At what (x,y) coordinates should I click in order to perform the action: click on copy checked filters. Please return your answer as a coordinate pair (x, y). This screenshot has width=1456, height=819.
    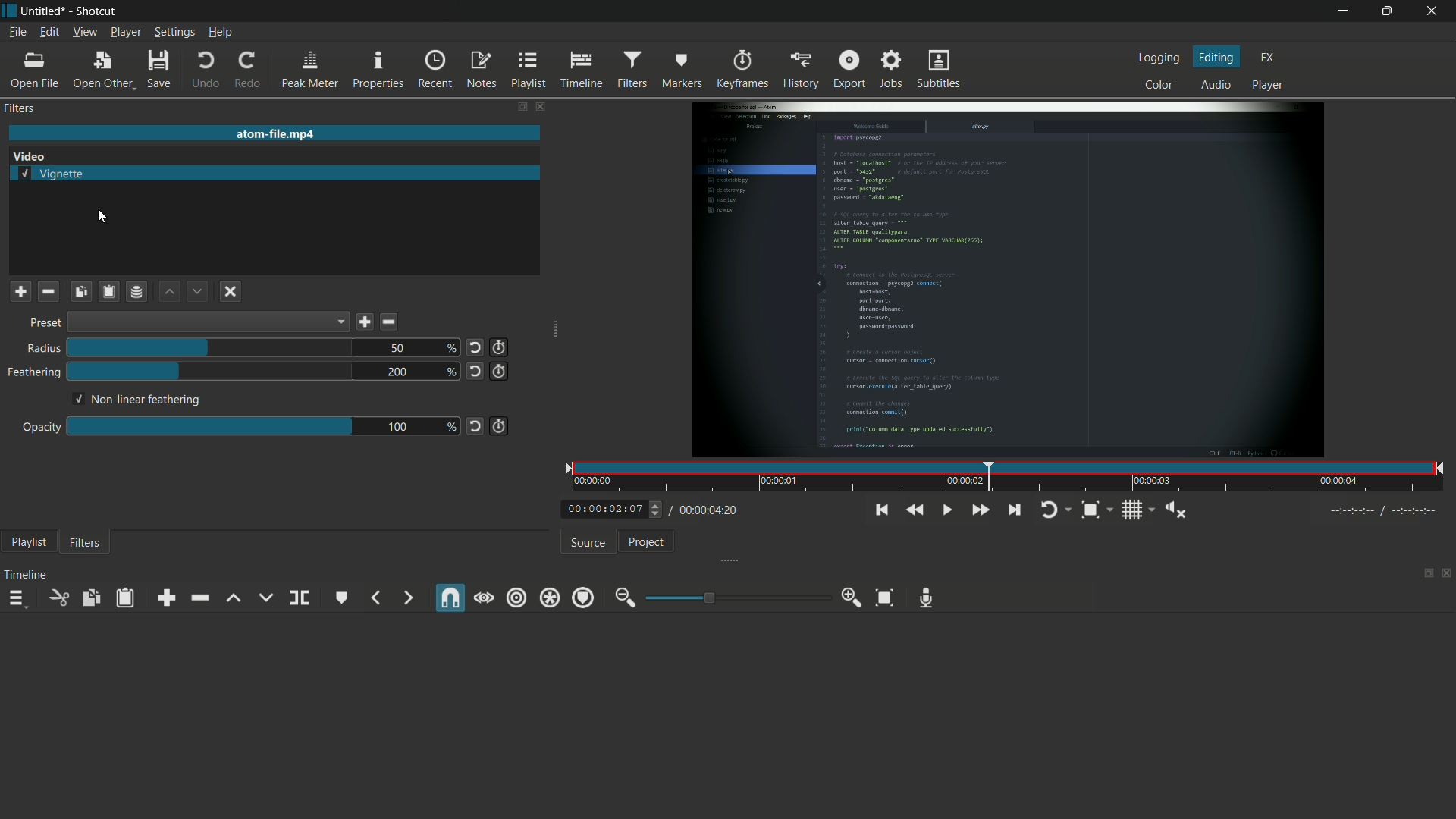
    Looking at the image, I should click on (90, 598).